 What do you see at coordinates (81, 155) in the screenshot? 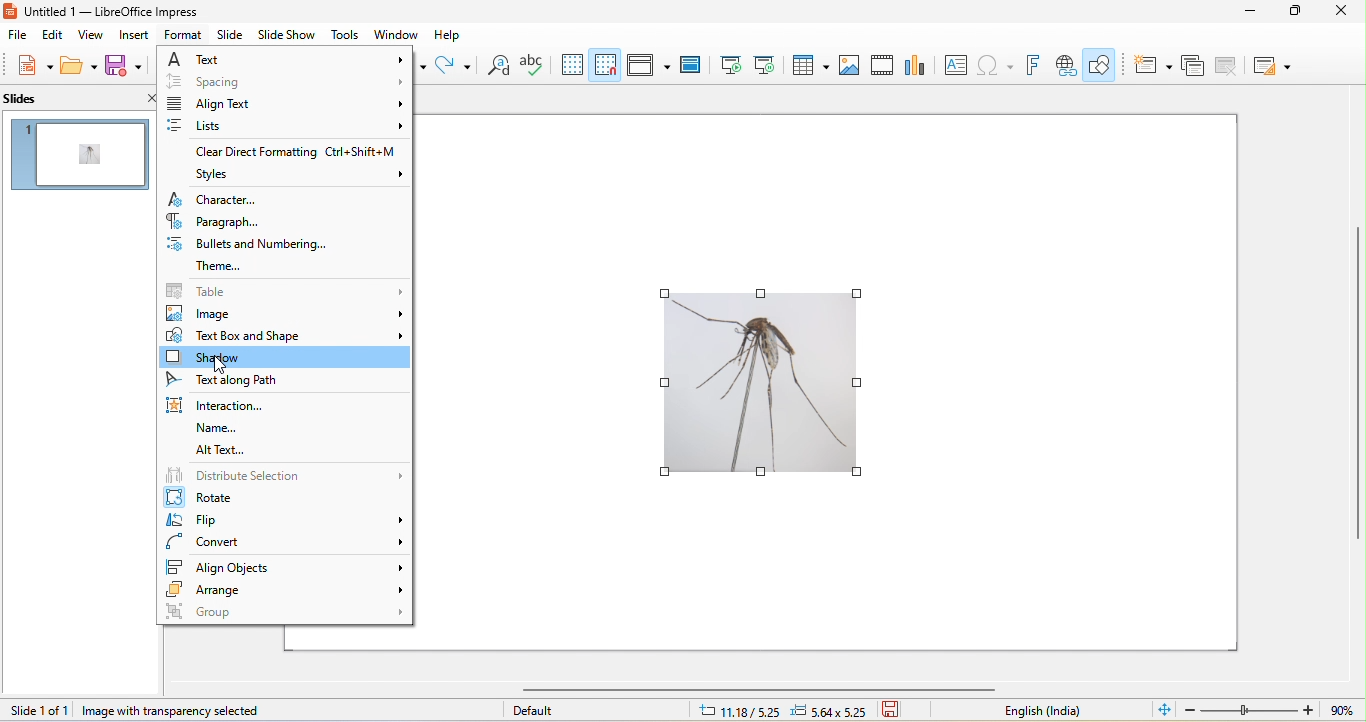
I see `slide preview in slide pane` at bounding box center [81, 155].